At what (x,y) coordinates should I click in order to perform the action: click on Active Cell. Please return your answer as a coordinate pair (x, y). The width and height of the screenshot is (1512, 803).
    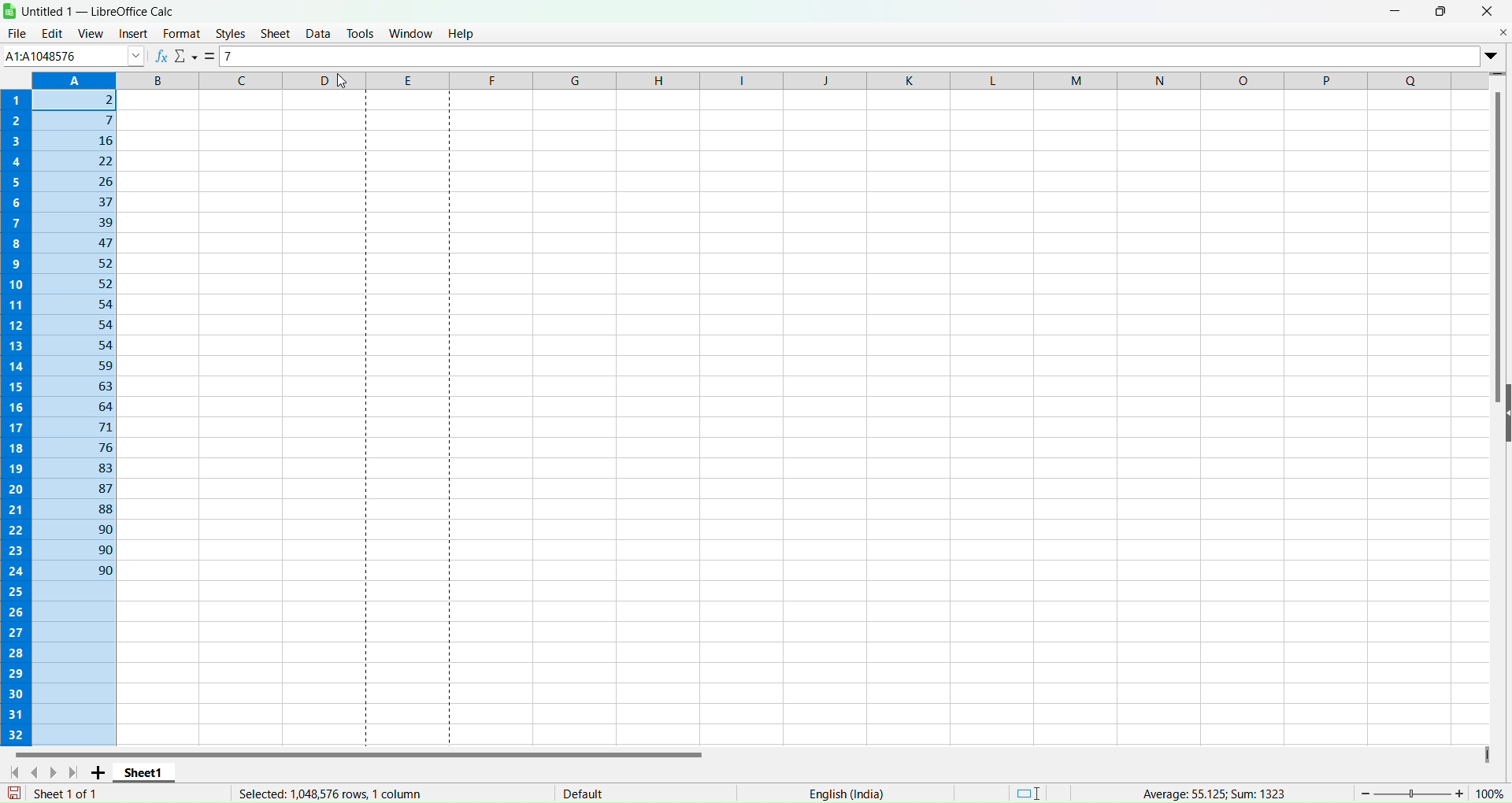
    Looking at the image, I should click on (72, 55).